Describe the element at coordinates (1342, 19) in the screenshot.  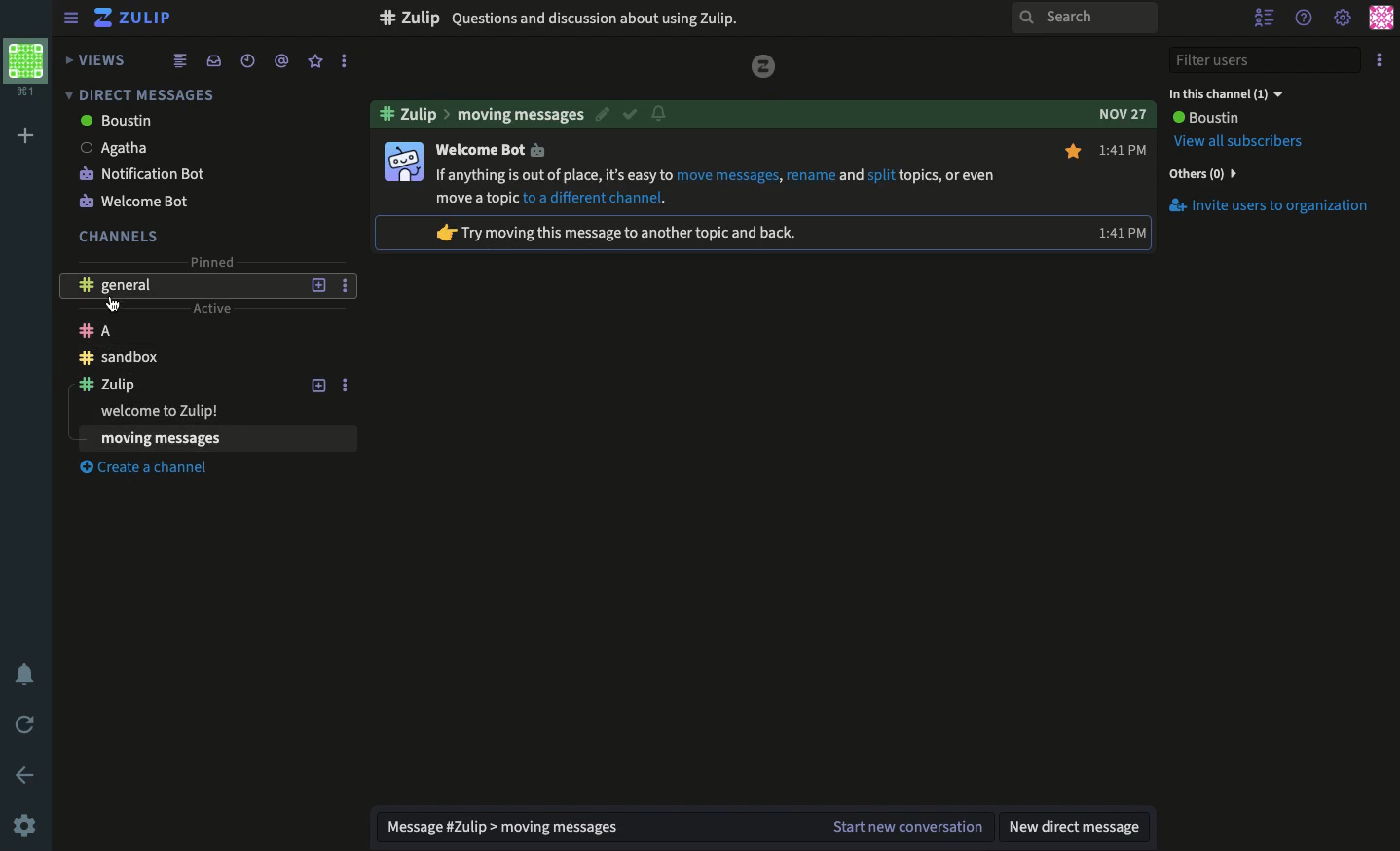
I see `Settings ` at that location.